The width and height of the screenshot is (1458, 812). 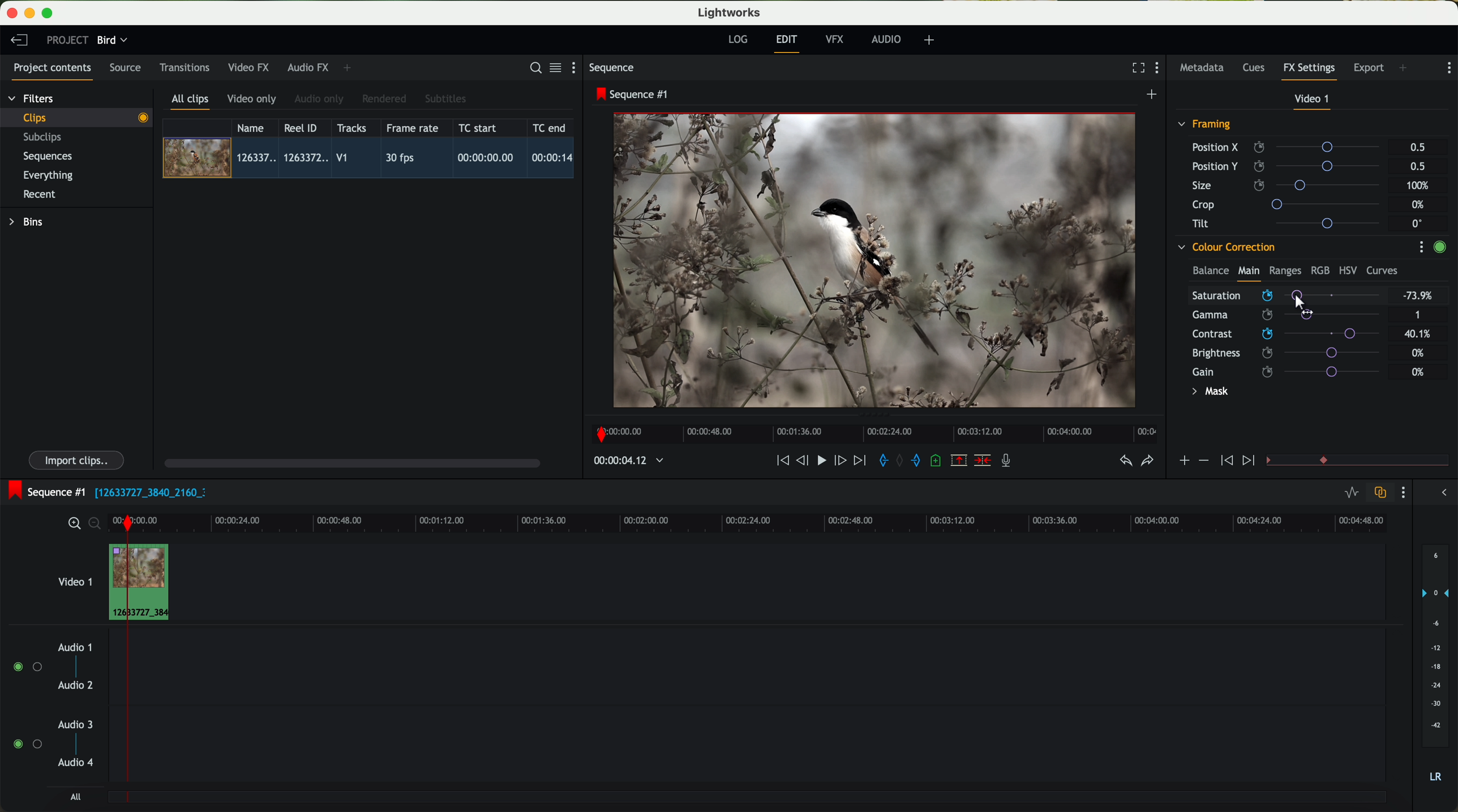 What do you see at coordinates (1291, 223) in the screenshot?
I see `tilt` at bounding box center [1291, 223].